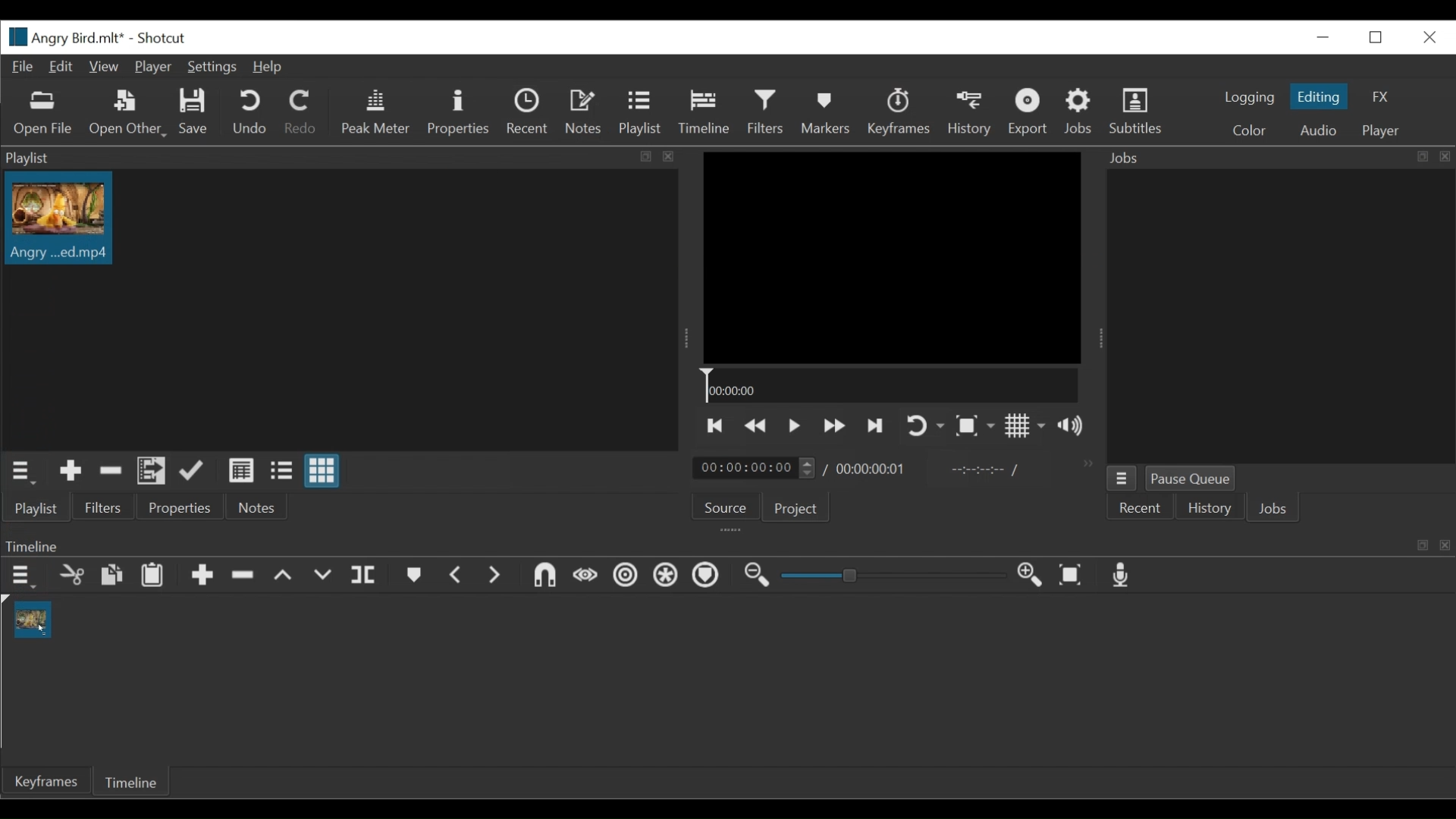 This screenshot has height=819, width=1456. What do you see at coordinates (1191, 479) in the screenshot?
I see `Pause Queue` at bounding box center [1191, 479].